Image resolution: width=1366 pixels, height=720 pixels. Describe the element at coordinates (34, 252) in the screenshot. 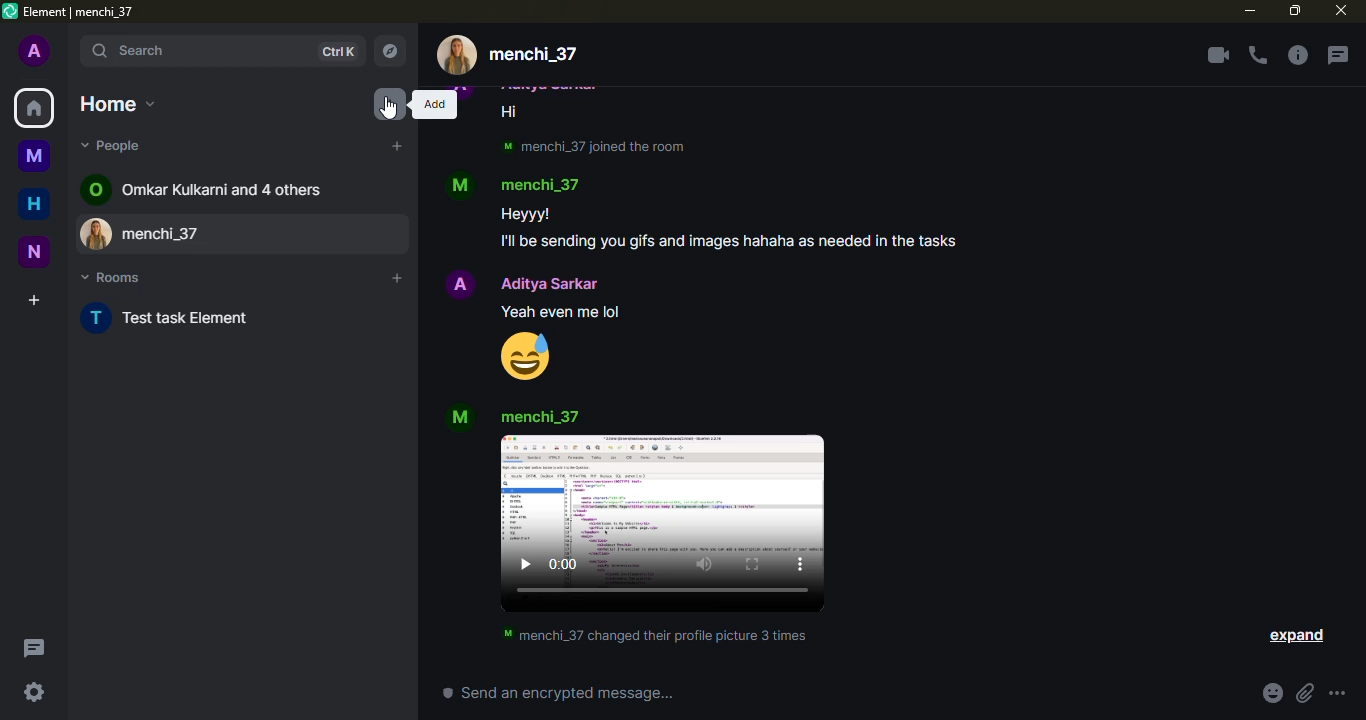

I see `new` at that location.